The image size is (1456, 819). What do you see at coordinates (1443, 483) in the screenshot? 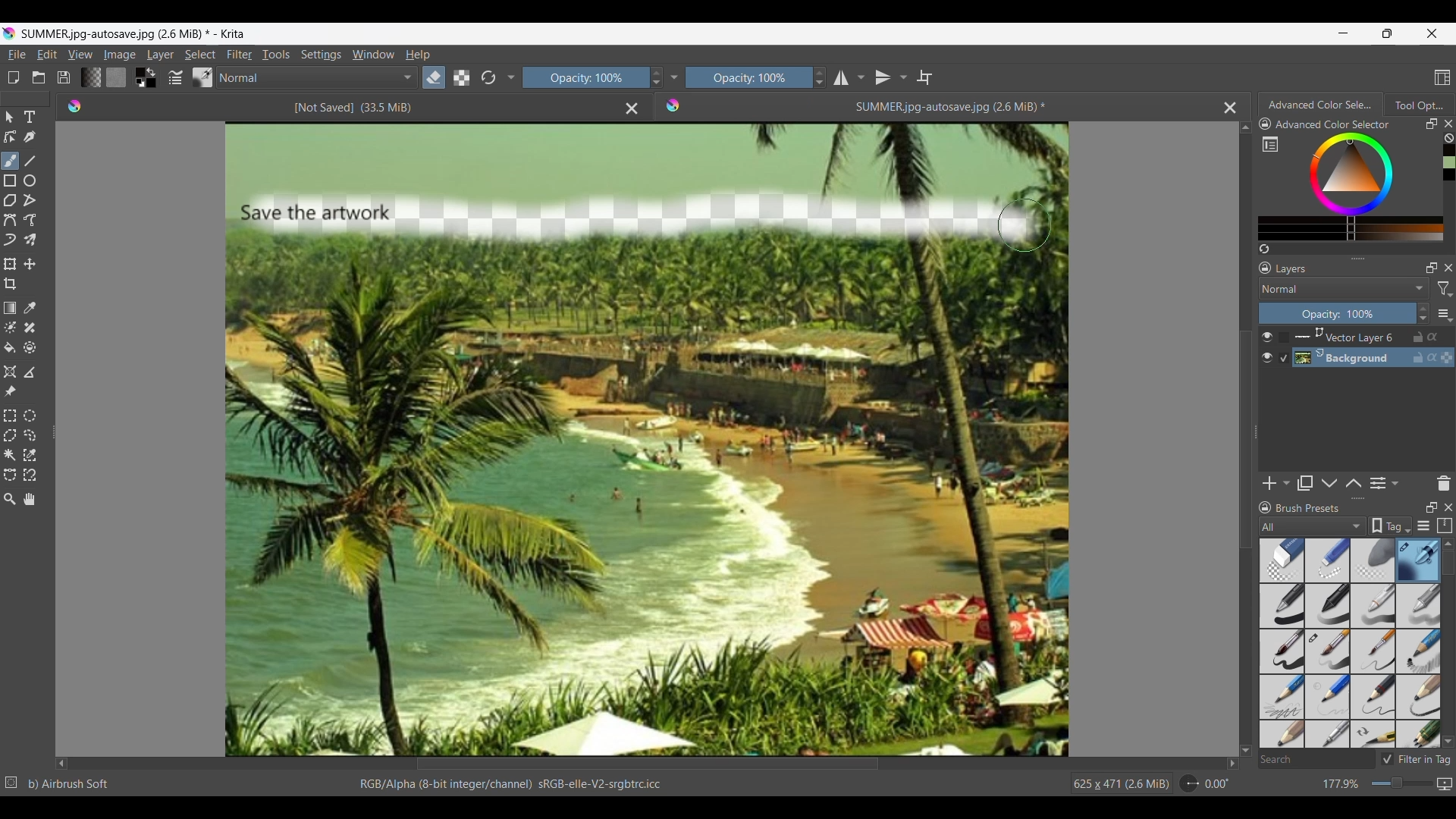
I see `Delete panel` at bounding box center [1443, 483].